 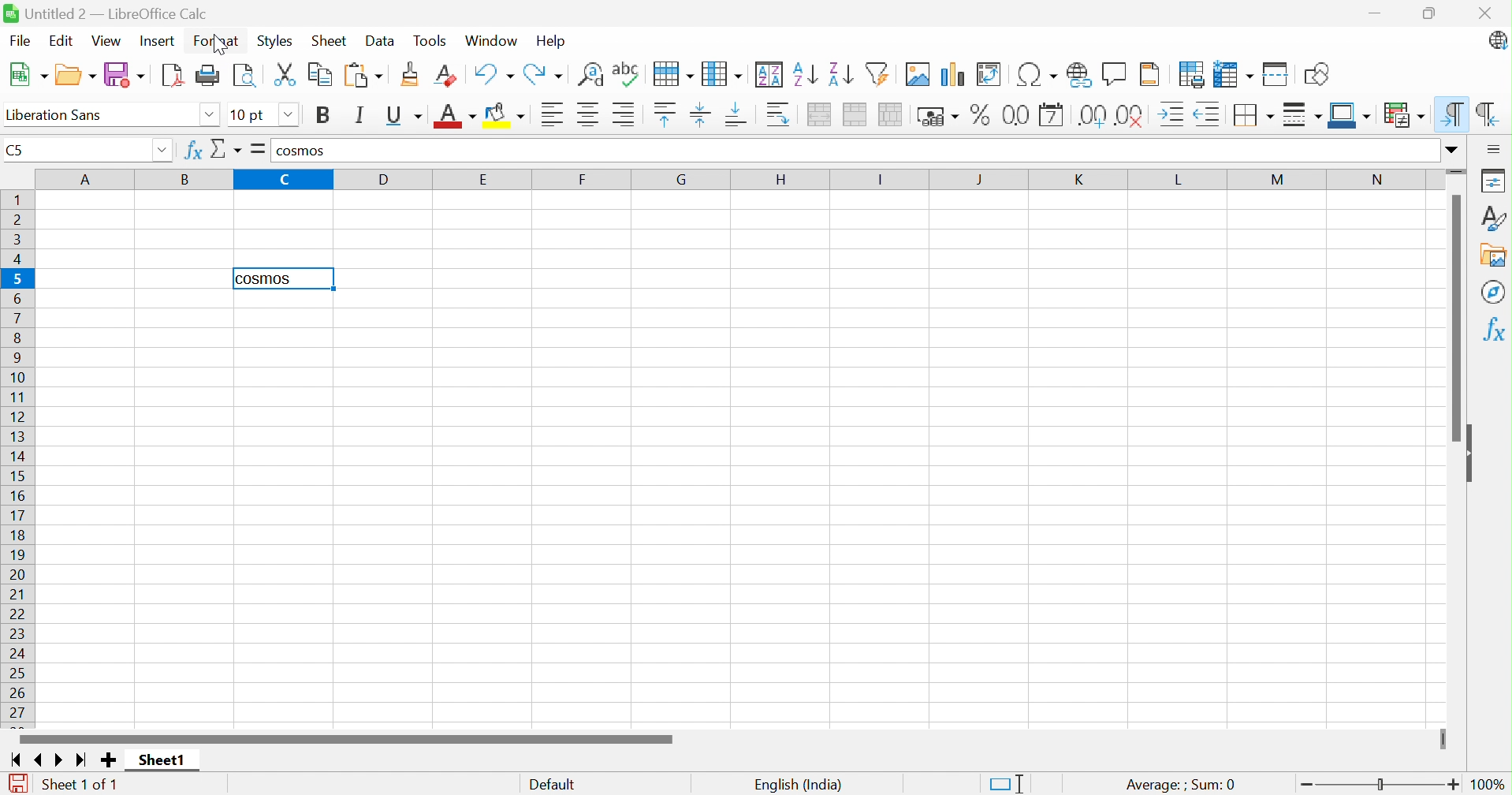 What do you see at coordinates (58, 762) in the screenshot?
I see `Scroll to next sheet` at bounding box center [58, 762].